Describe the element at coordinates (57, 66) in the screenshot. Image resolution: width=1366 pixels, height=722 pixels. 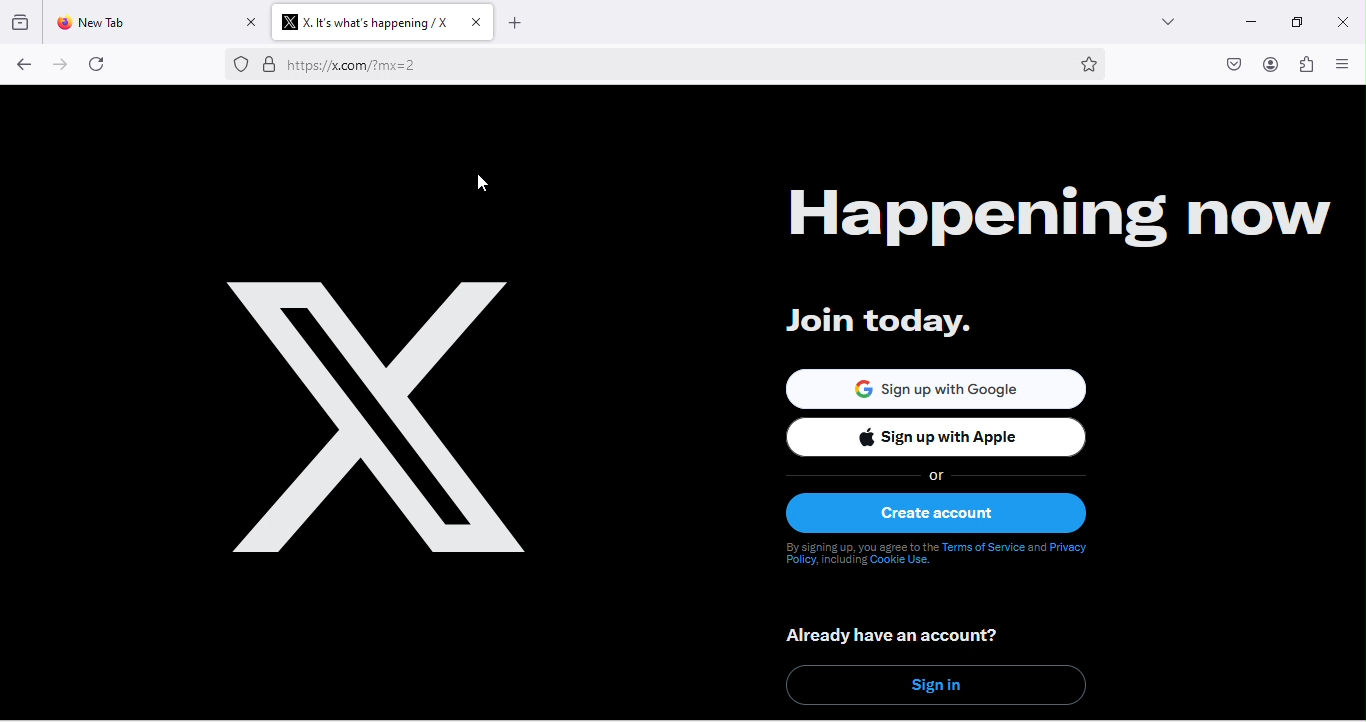
I see `forward` at that location.